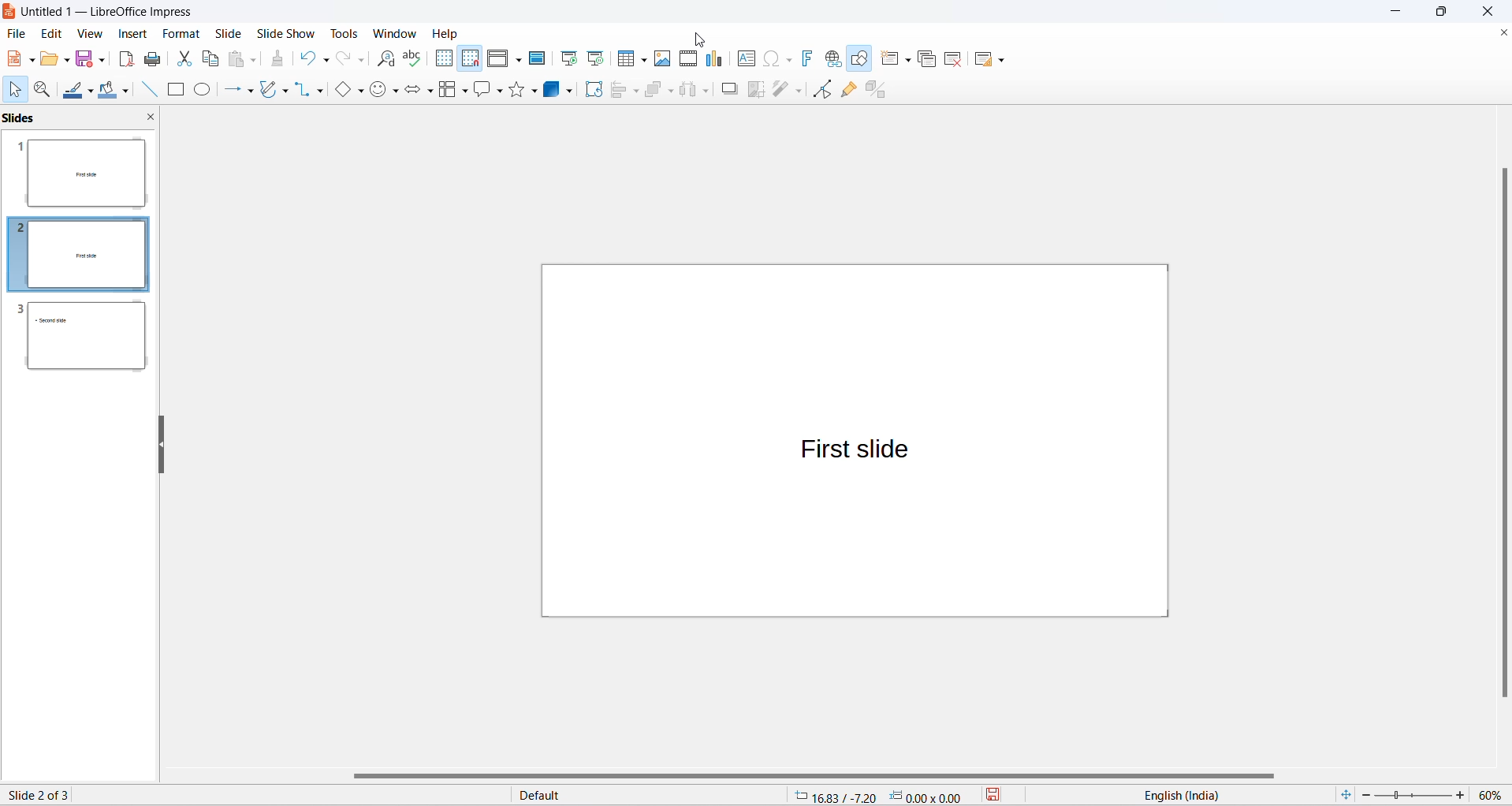  What do you see at coordinates (67, 58) in the screenshot?
I see `open options` at bounding box center [67, 58].